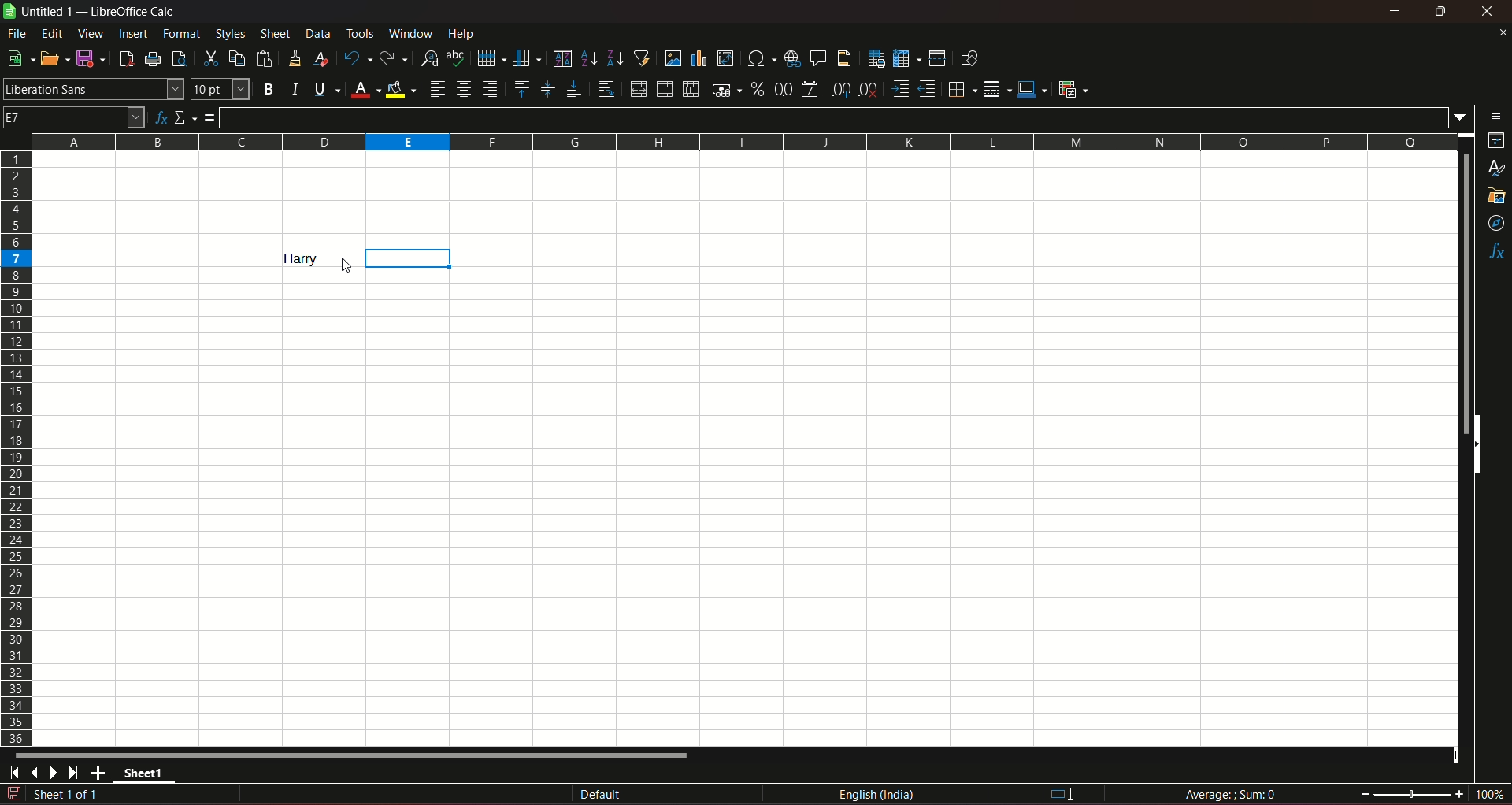 The image size is (1512, 805). I want to click on insert special character, so click(759, 57).